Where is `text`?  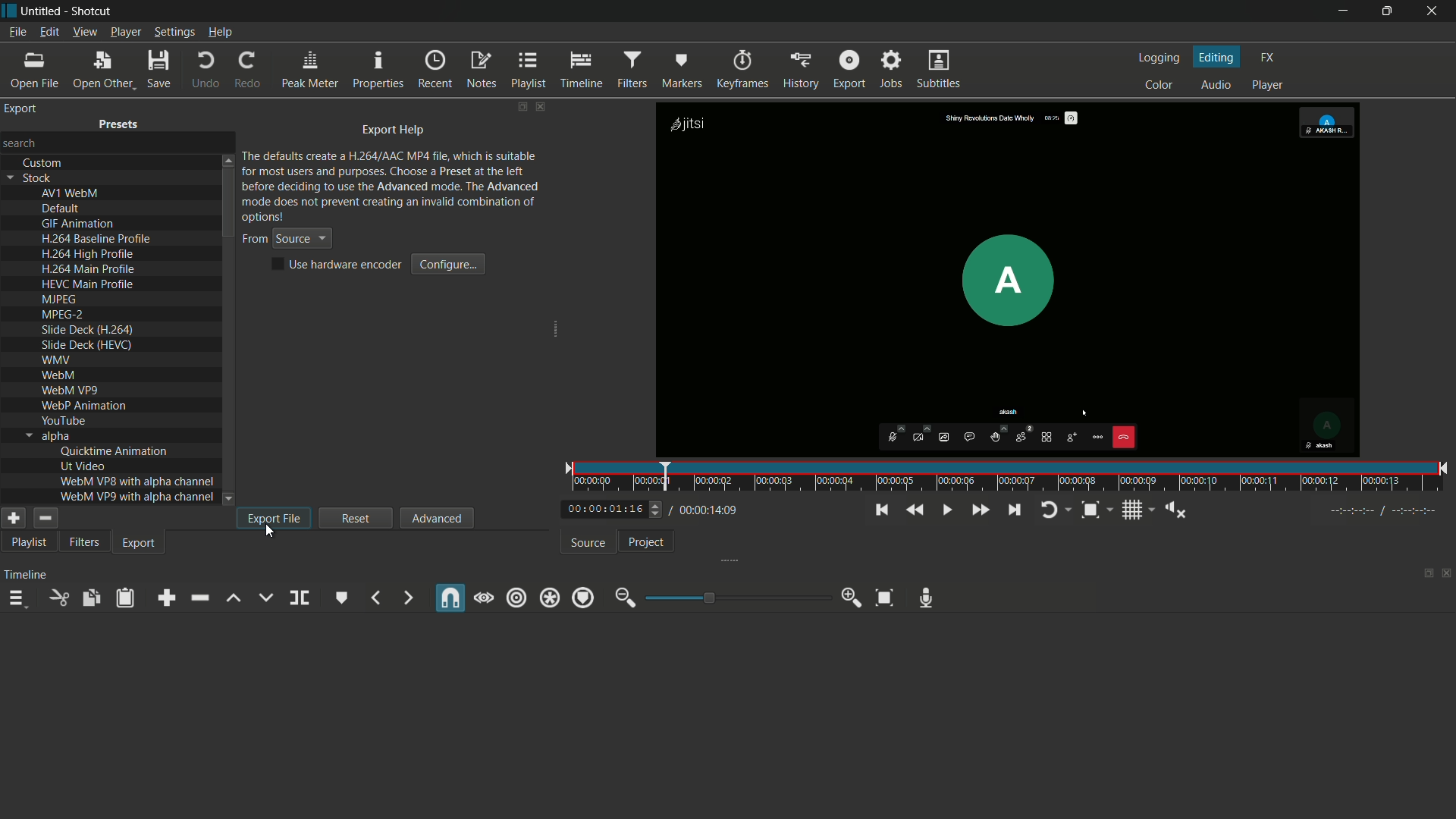
text is located at coordinates (64, 420).